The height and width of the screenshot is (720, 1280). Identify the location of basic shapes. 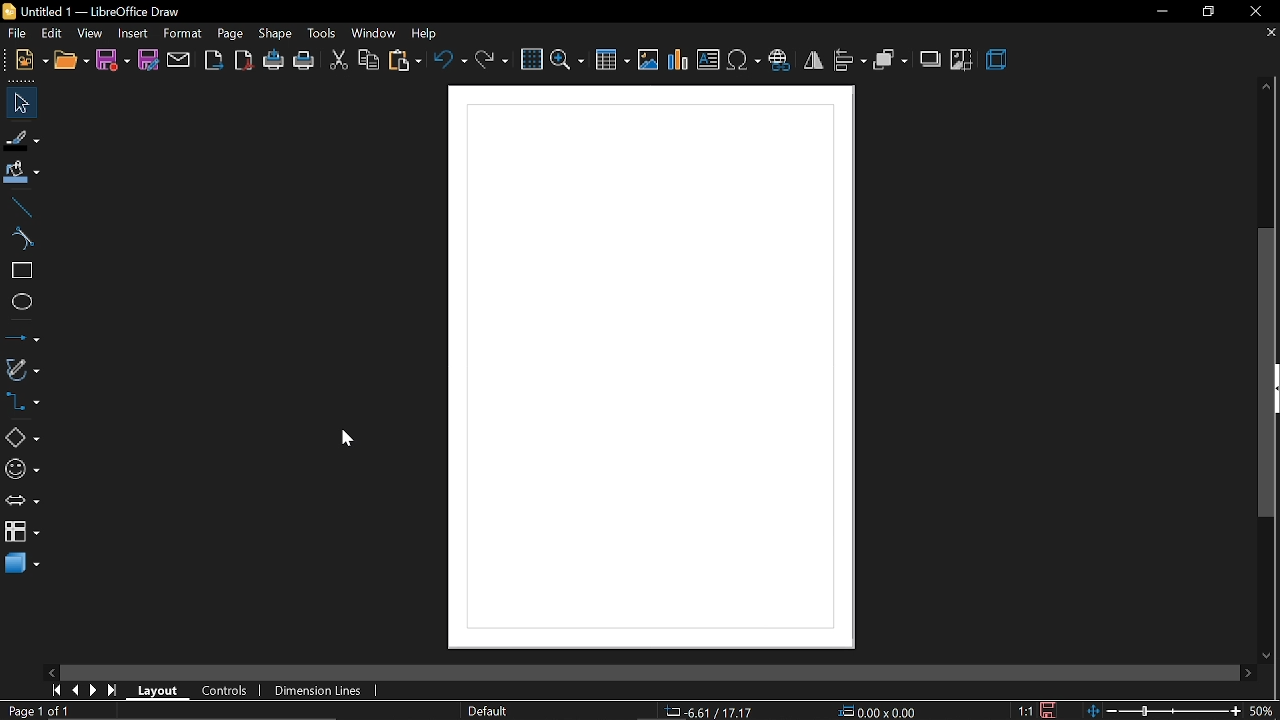
(22, 439).